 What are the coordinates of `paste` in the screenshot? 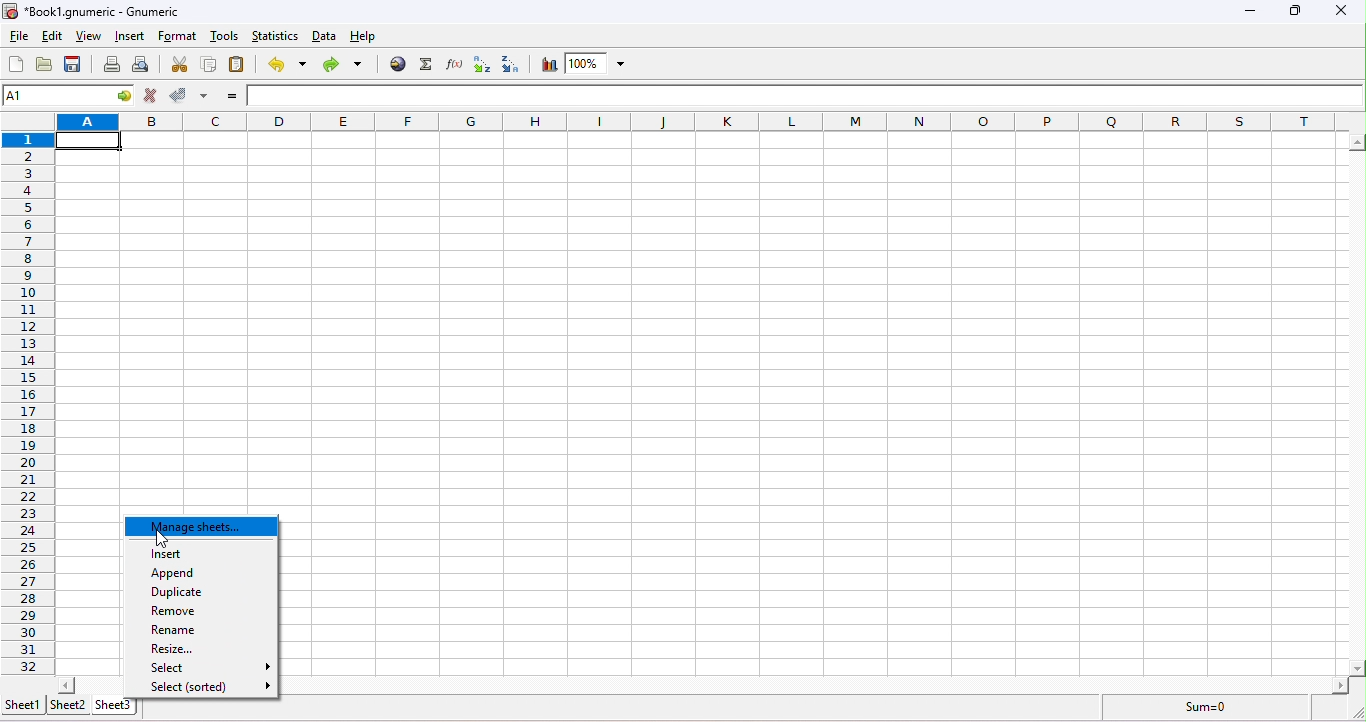 It's located at (241, 67).